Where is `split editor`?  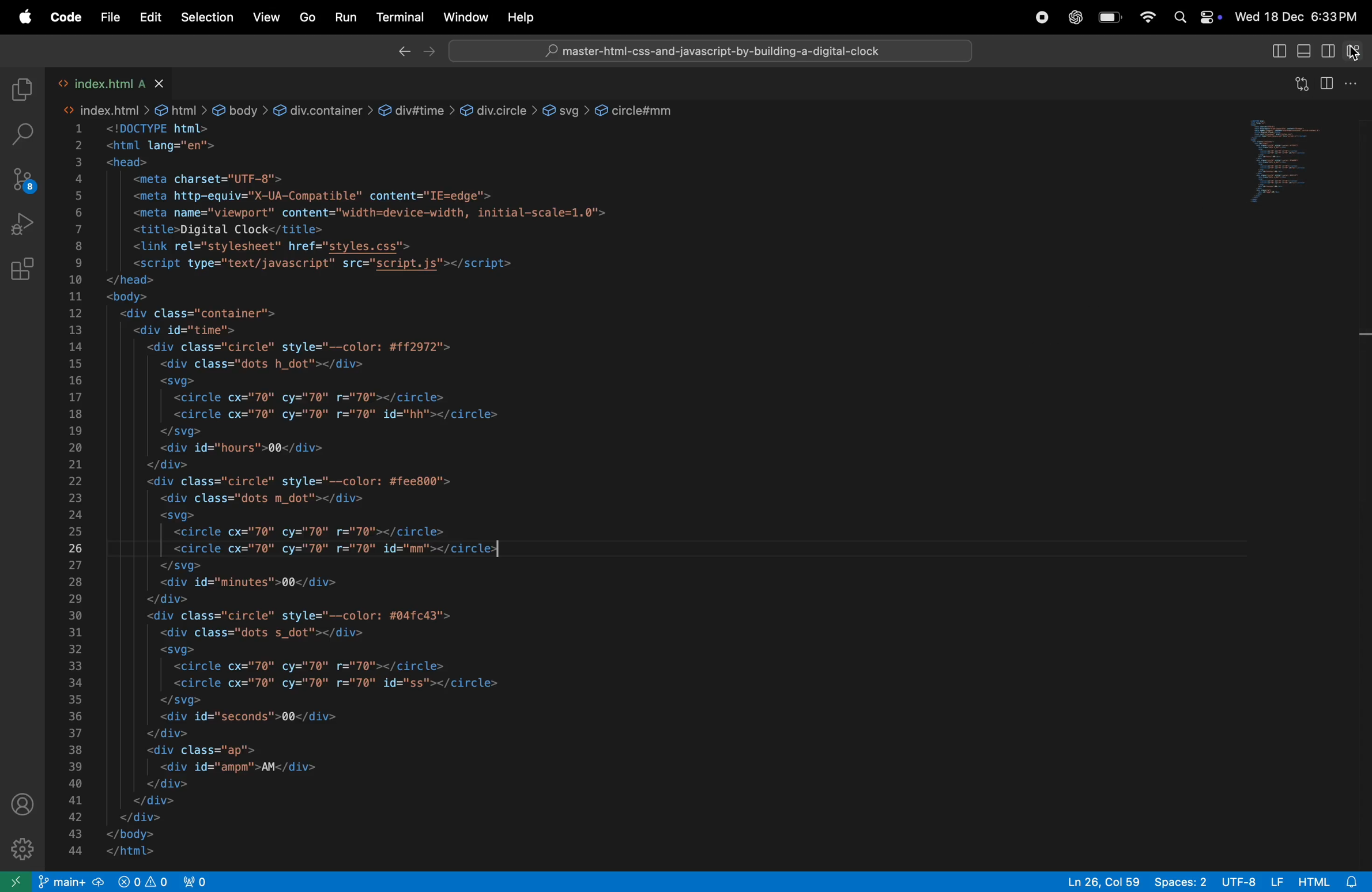 split editor is located at coordinates (1330, 83).